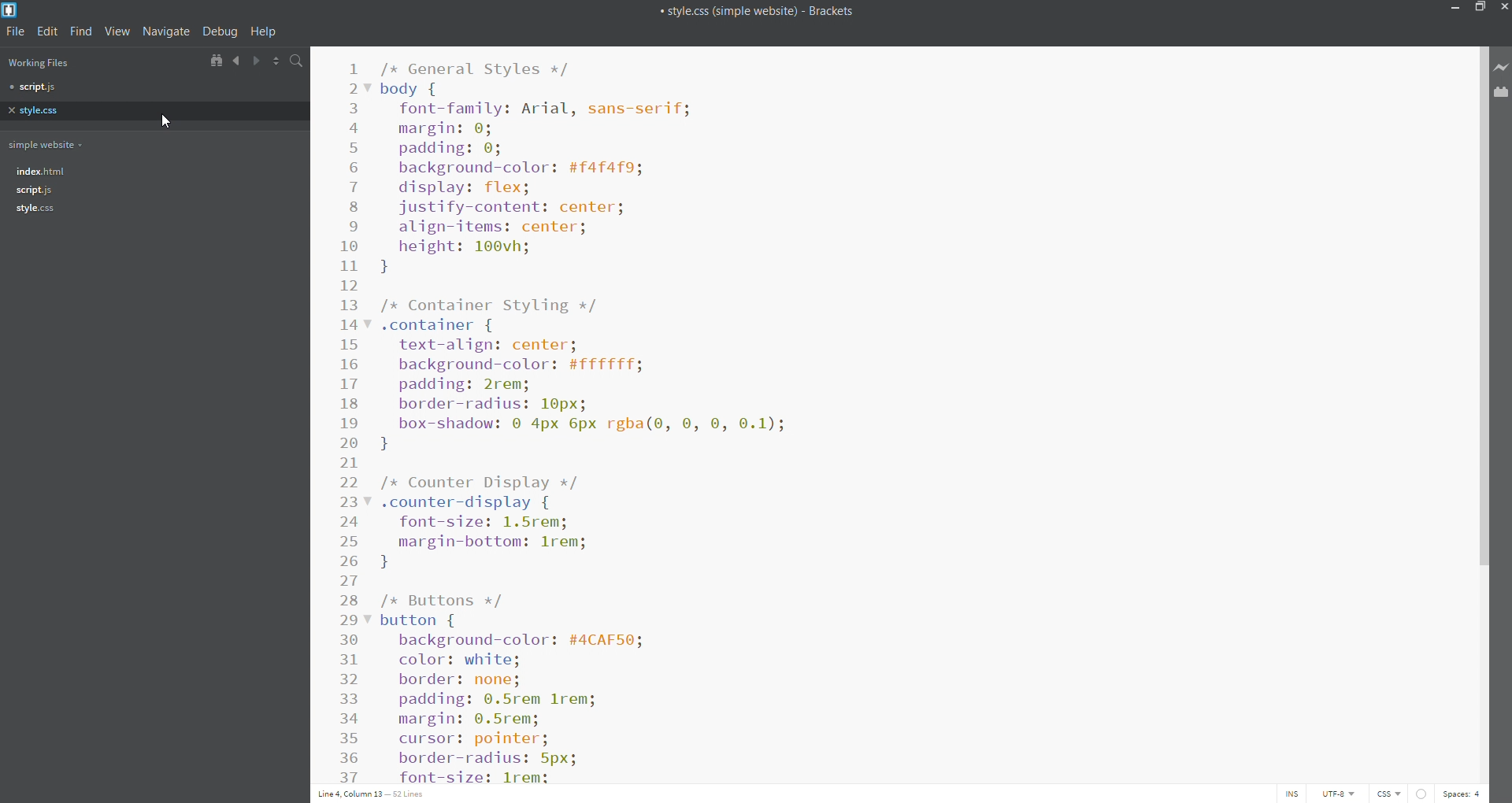  I want to click on file, so click(18, 32).